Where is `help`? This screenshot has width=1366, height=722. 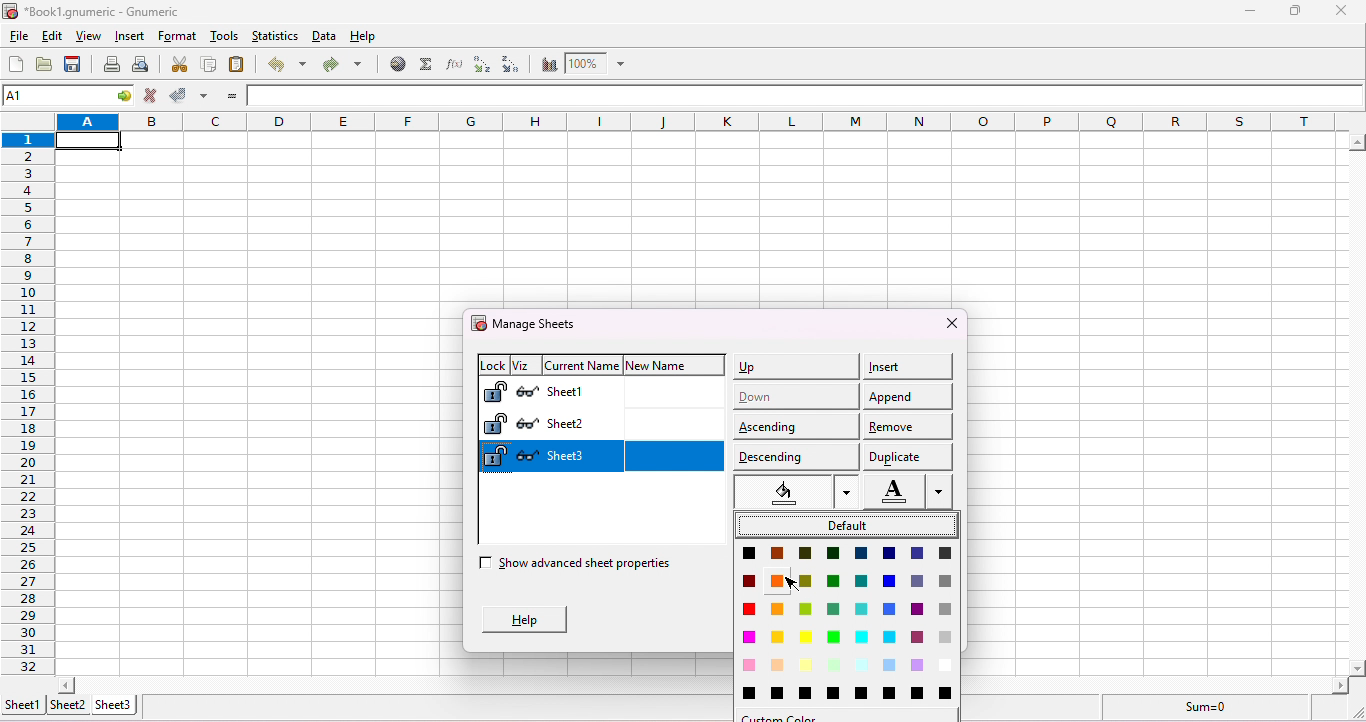 help is located at coordinates (528, 619).